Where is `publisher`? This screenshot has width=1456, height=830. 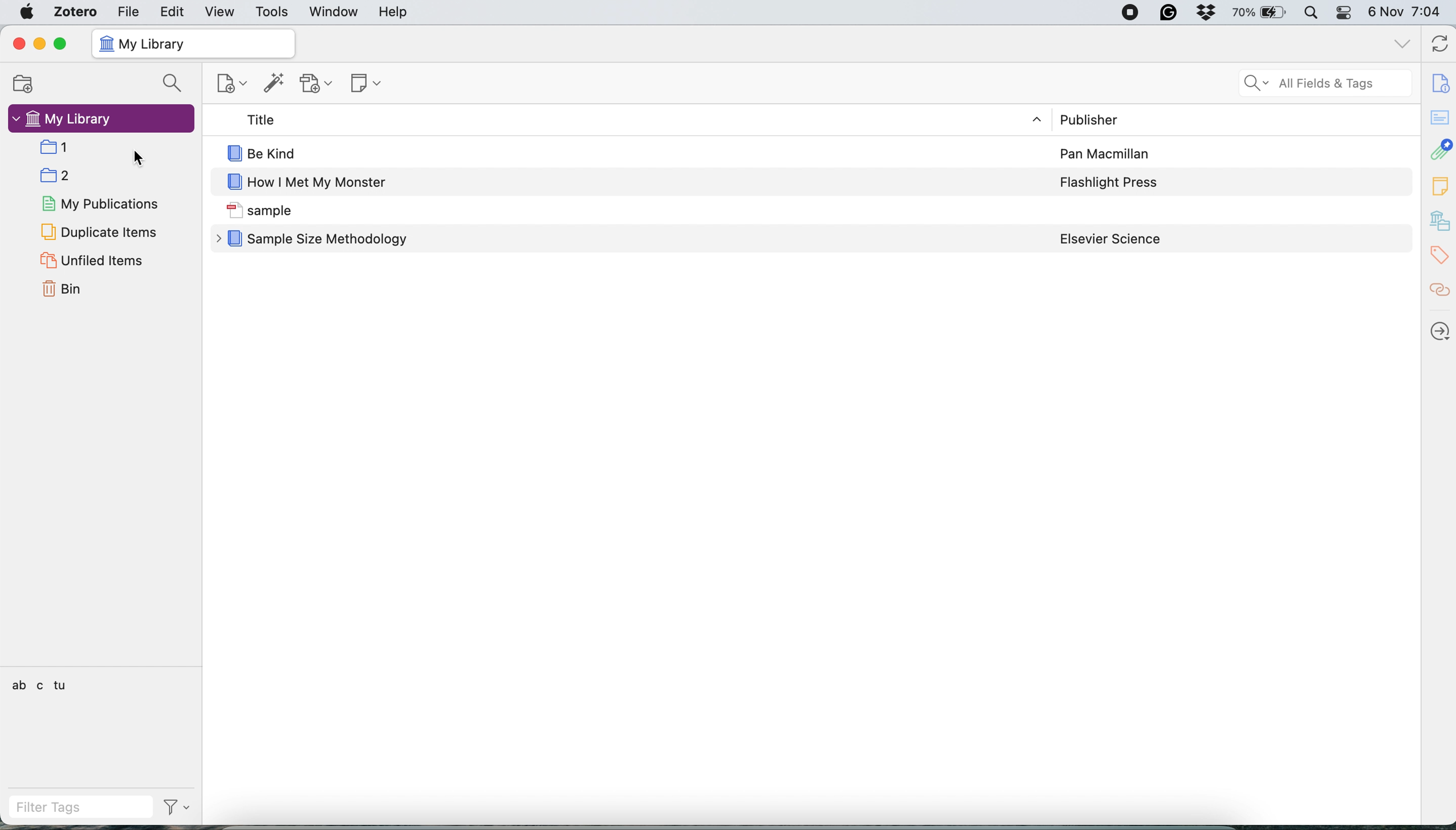
publisher is located at coordinates (1088, 119).